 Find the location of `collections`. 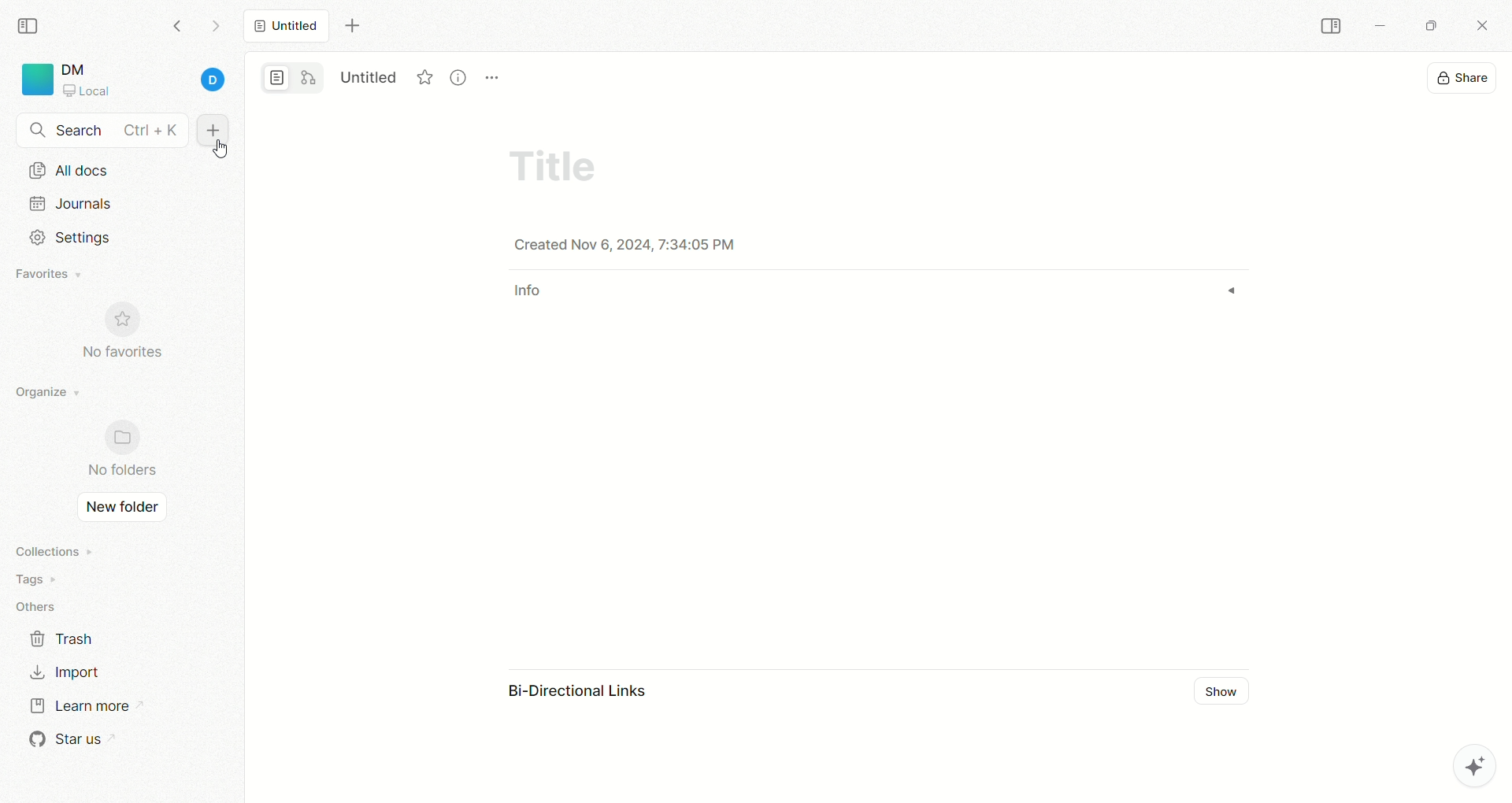

collections is located at coordinates (51, 551).